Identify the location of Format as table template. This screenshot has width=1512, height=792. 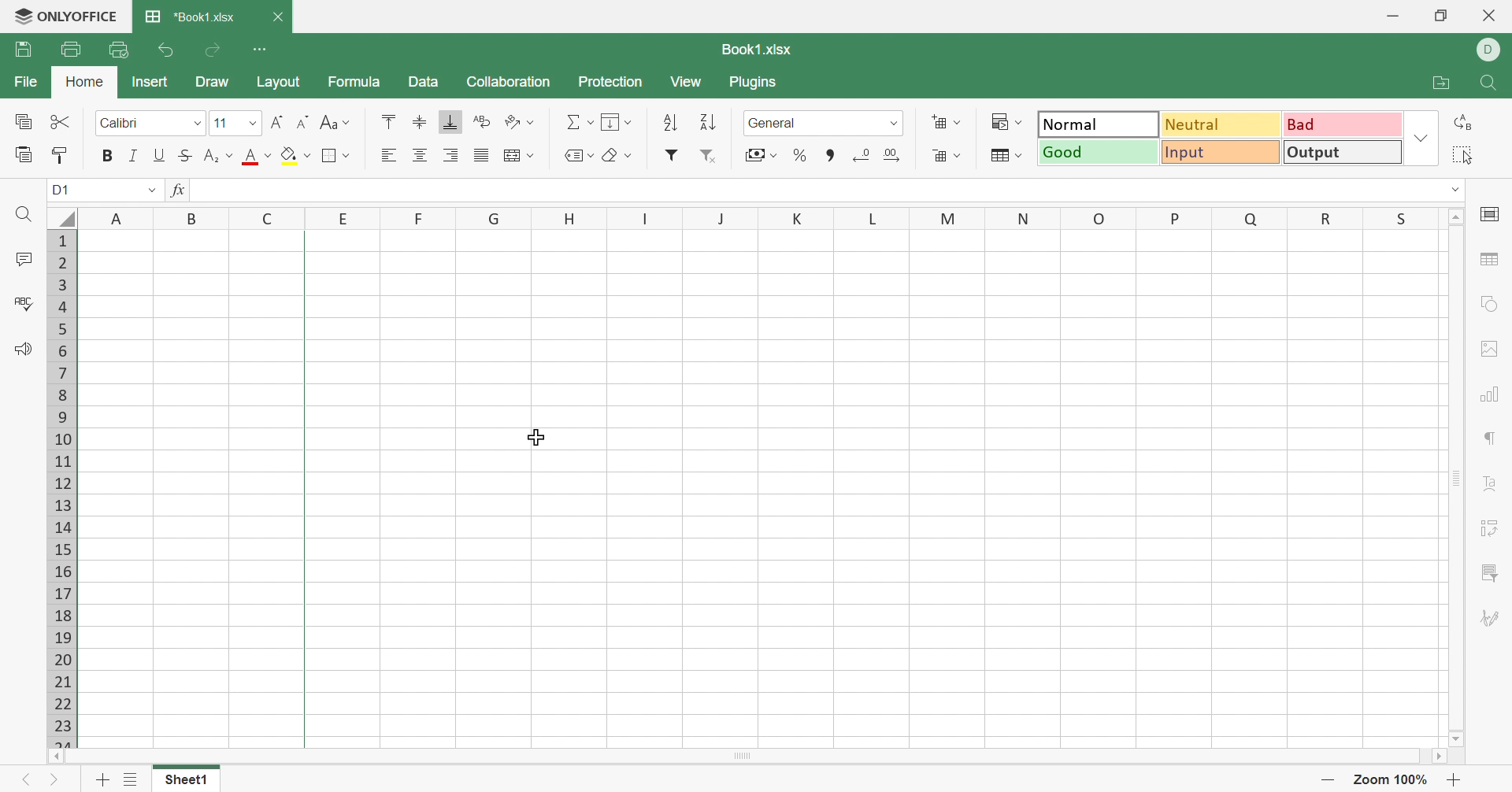
(1000, 157).